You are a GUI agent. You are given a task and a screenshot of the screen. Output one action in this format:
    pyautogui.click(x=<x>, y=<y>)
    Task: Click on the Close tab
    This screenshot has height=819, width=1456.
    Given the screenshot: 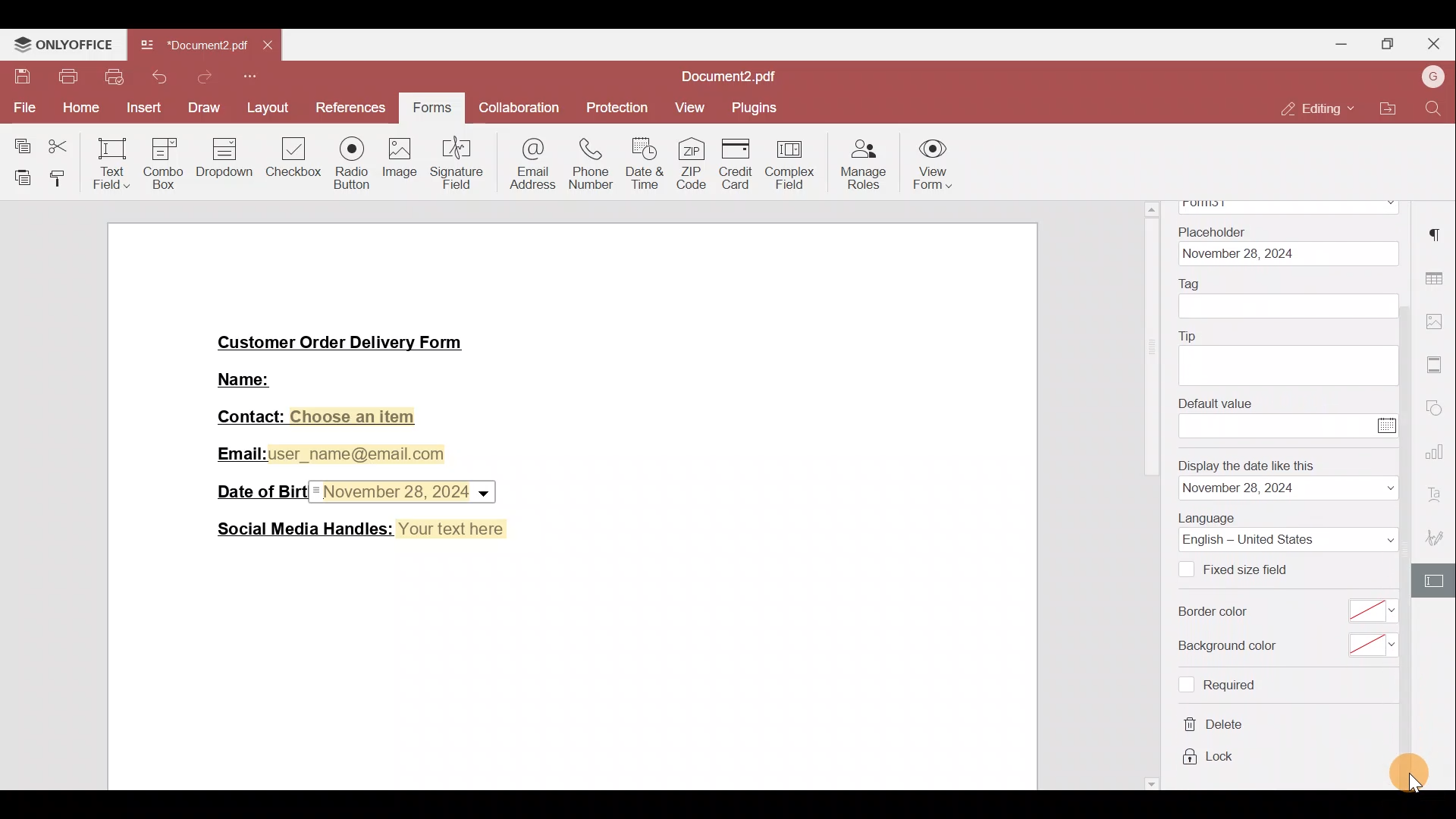 What is the action you would take?
    pyautogui.click(x=265, y=46)
    